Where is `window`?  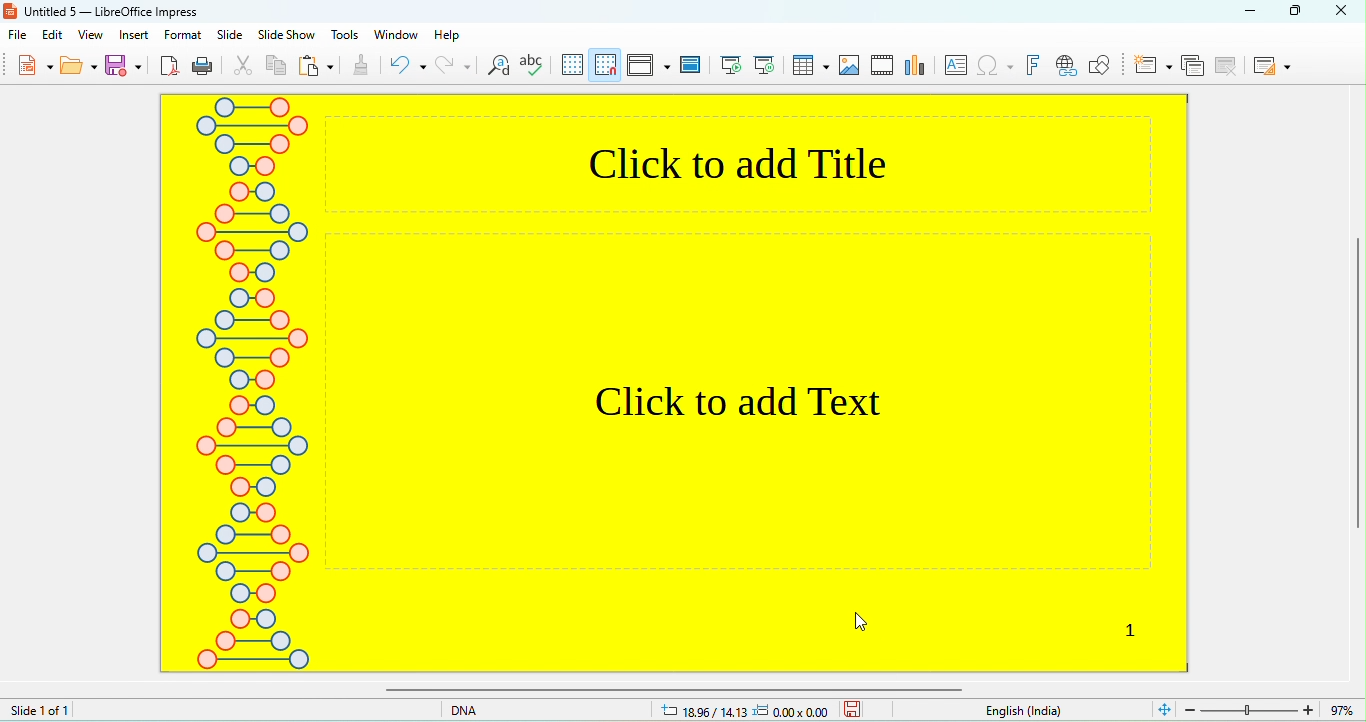 window is located at coordinates (394, 34).